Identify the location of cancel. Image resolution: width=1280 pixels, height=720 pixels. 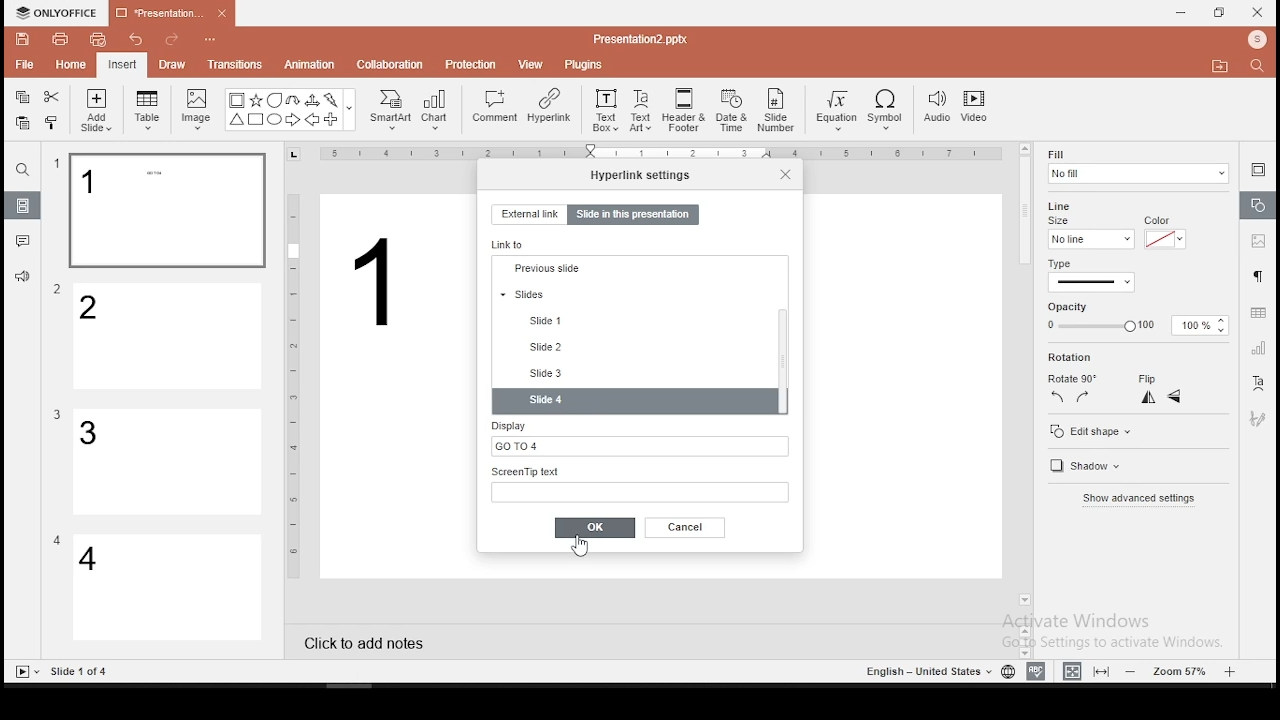
(686, 527).